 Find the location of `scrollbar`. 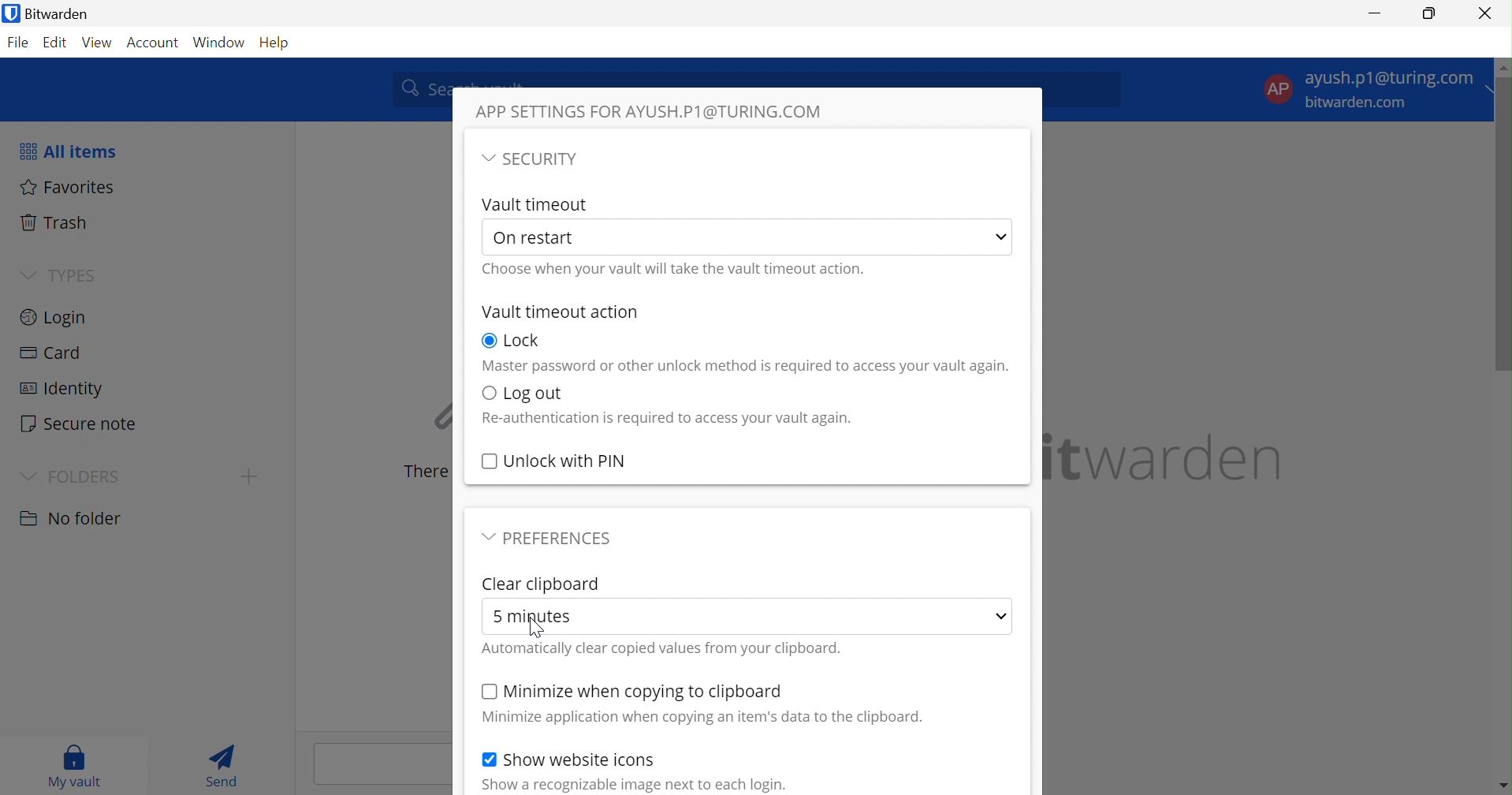

scrollbar is located at coordinates (1503, 227).